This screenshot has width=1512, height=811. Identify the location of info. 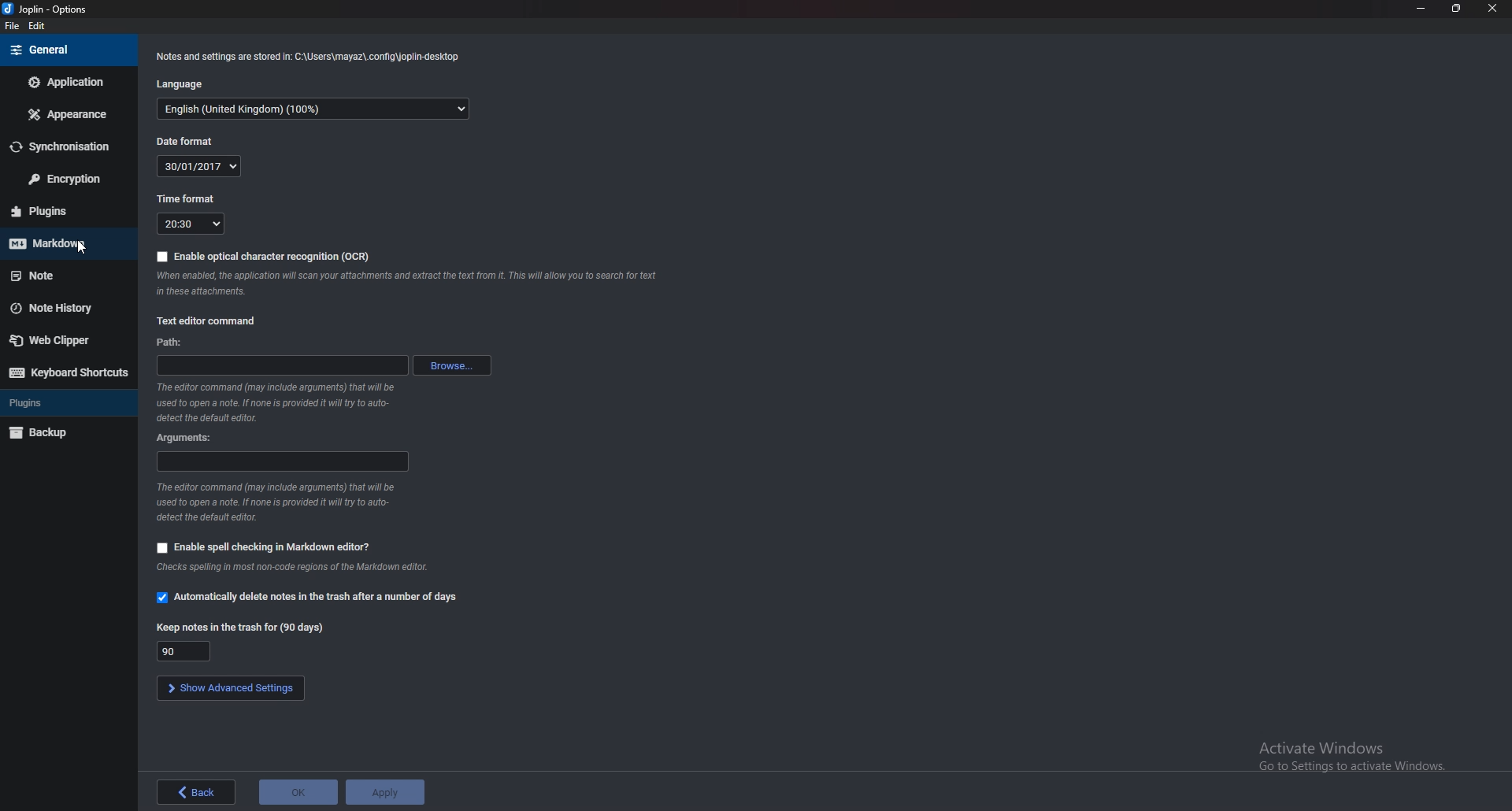
(407, 284).